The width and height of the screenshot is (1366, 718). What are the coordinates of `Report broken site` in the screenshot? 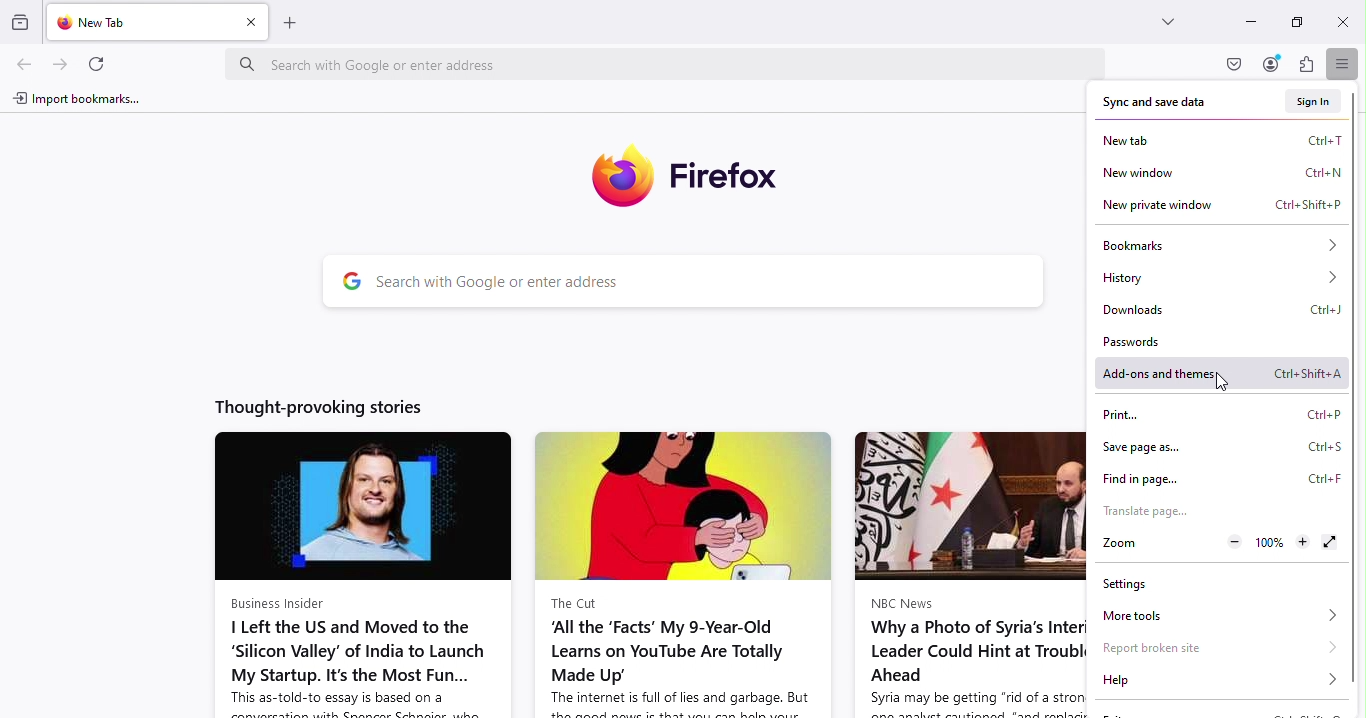 It's located at (1217, 646).